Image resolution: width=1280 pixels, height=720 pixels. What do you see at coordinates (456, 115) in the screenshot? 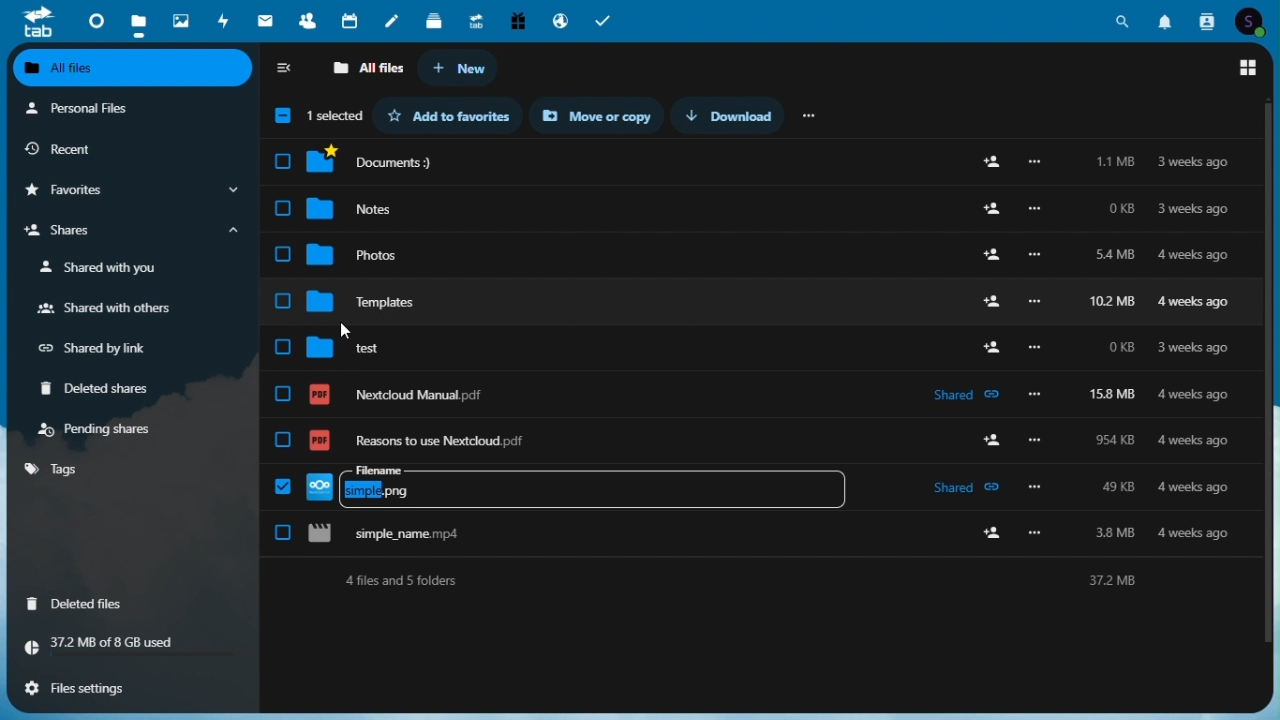
I see `Add to favourites` at bounding box center [456, 115].